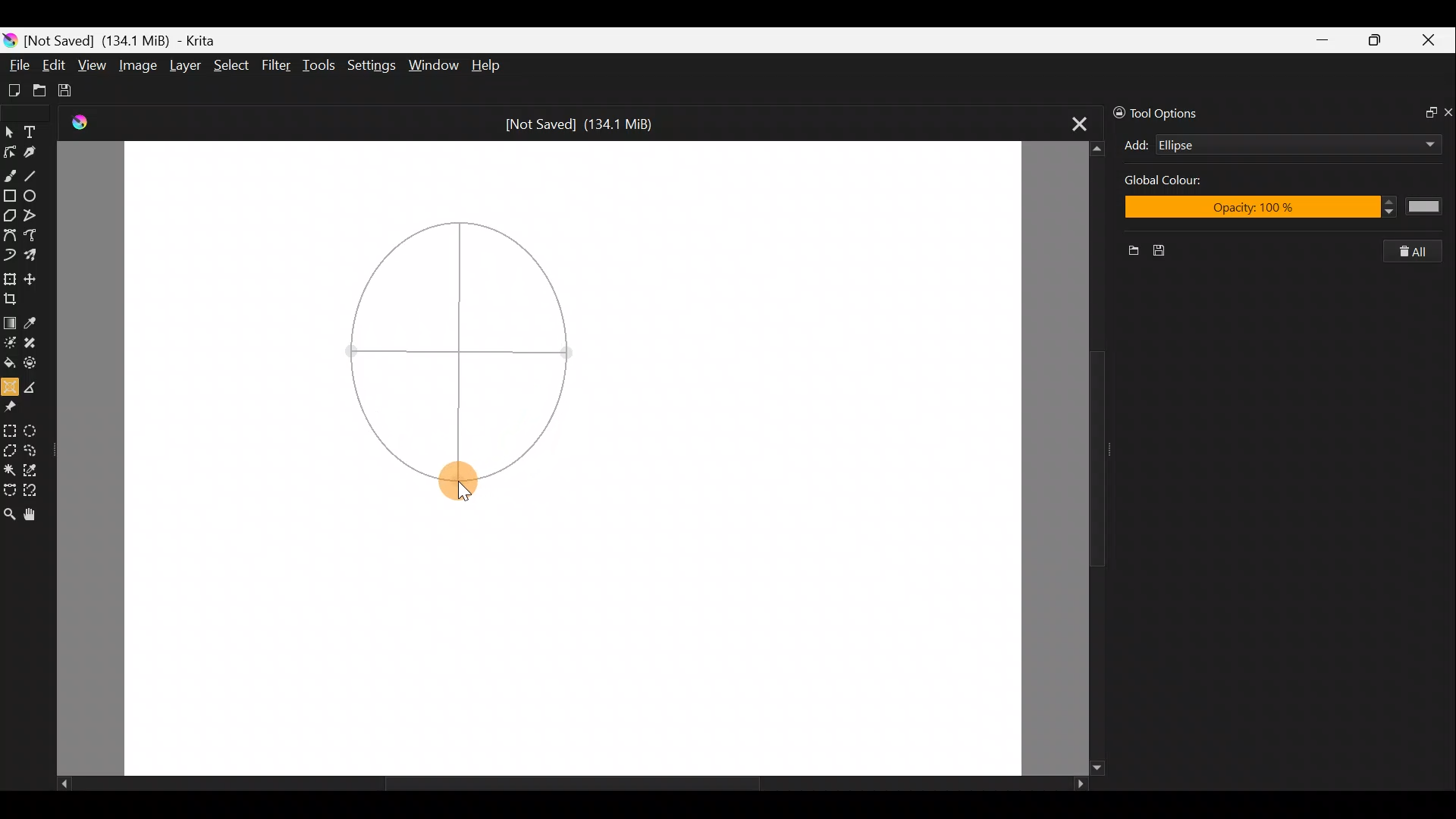 This screenshot has height=819, width=1456. Describe the element at coordinates (1424, 114) in the screenshot. I see `Float docker` at that location.